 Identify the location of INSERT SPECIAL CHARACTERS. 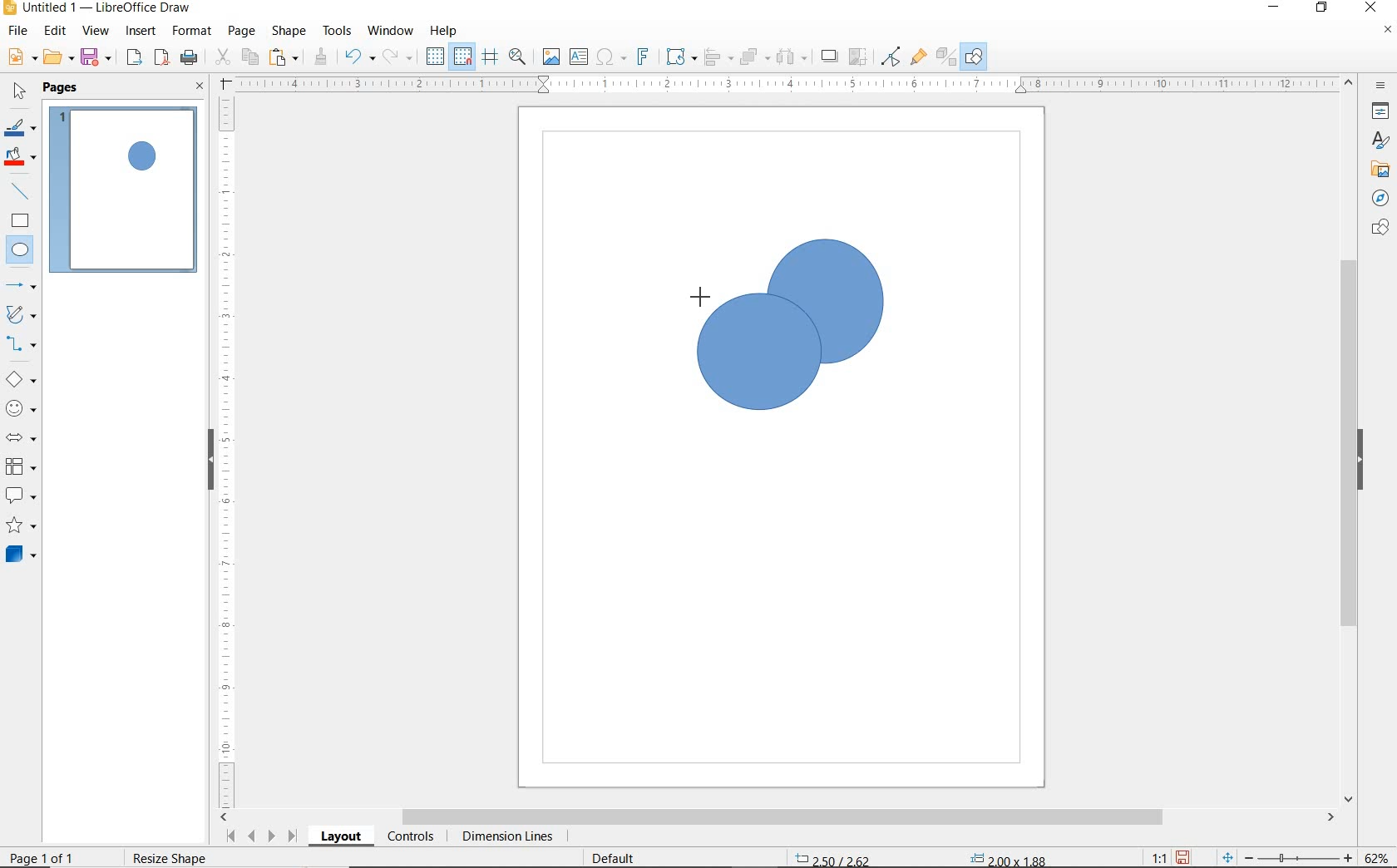
(609, 58).